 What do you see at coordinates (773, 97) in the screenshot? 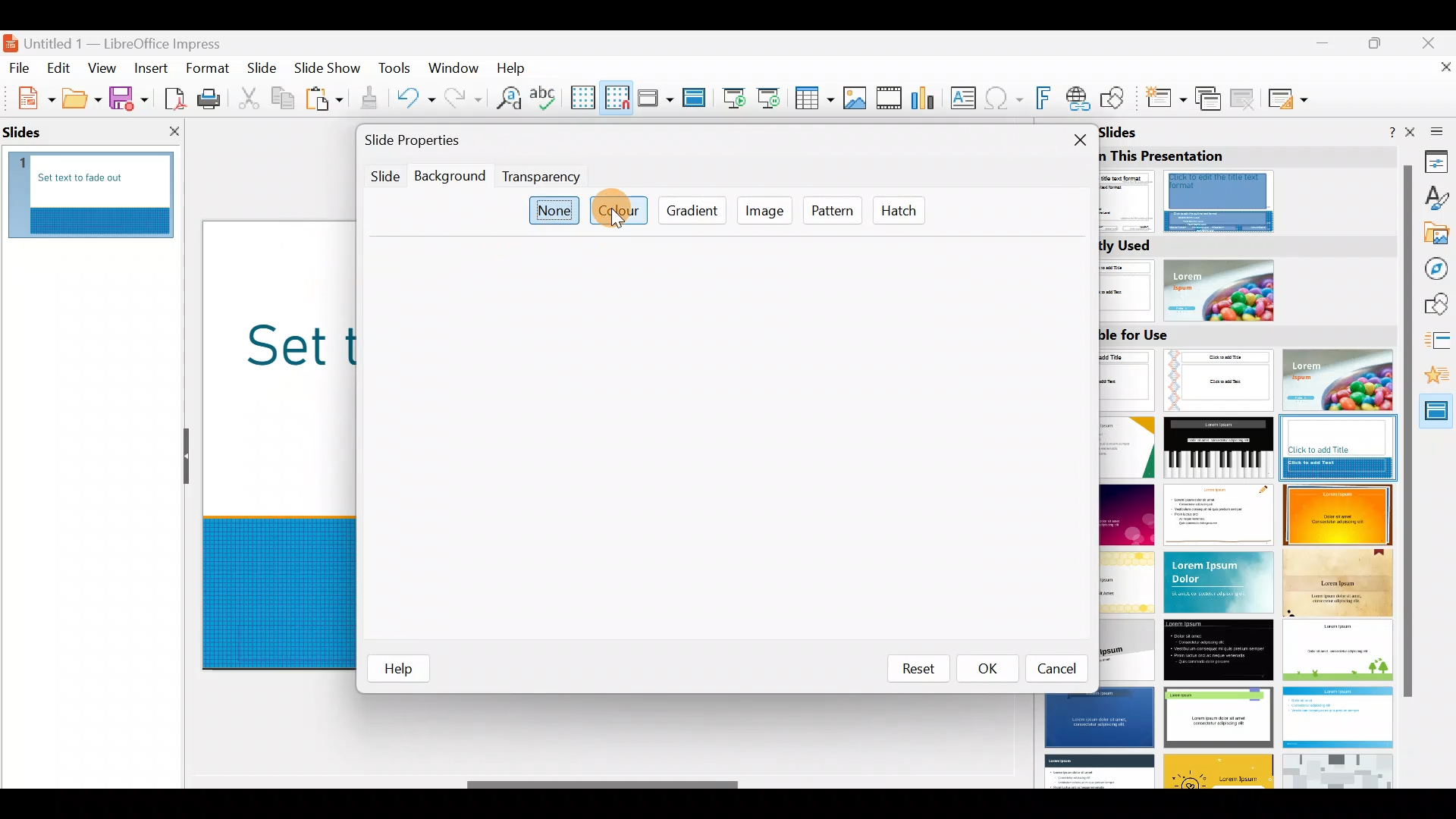
I see `Start from current slide` at bounding box center [773, 97].